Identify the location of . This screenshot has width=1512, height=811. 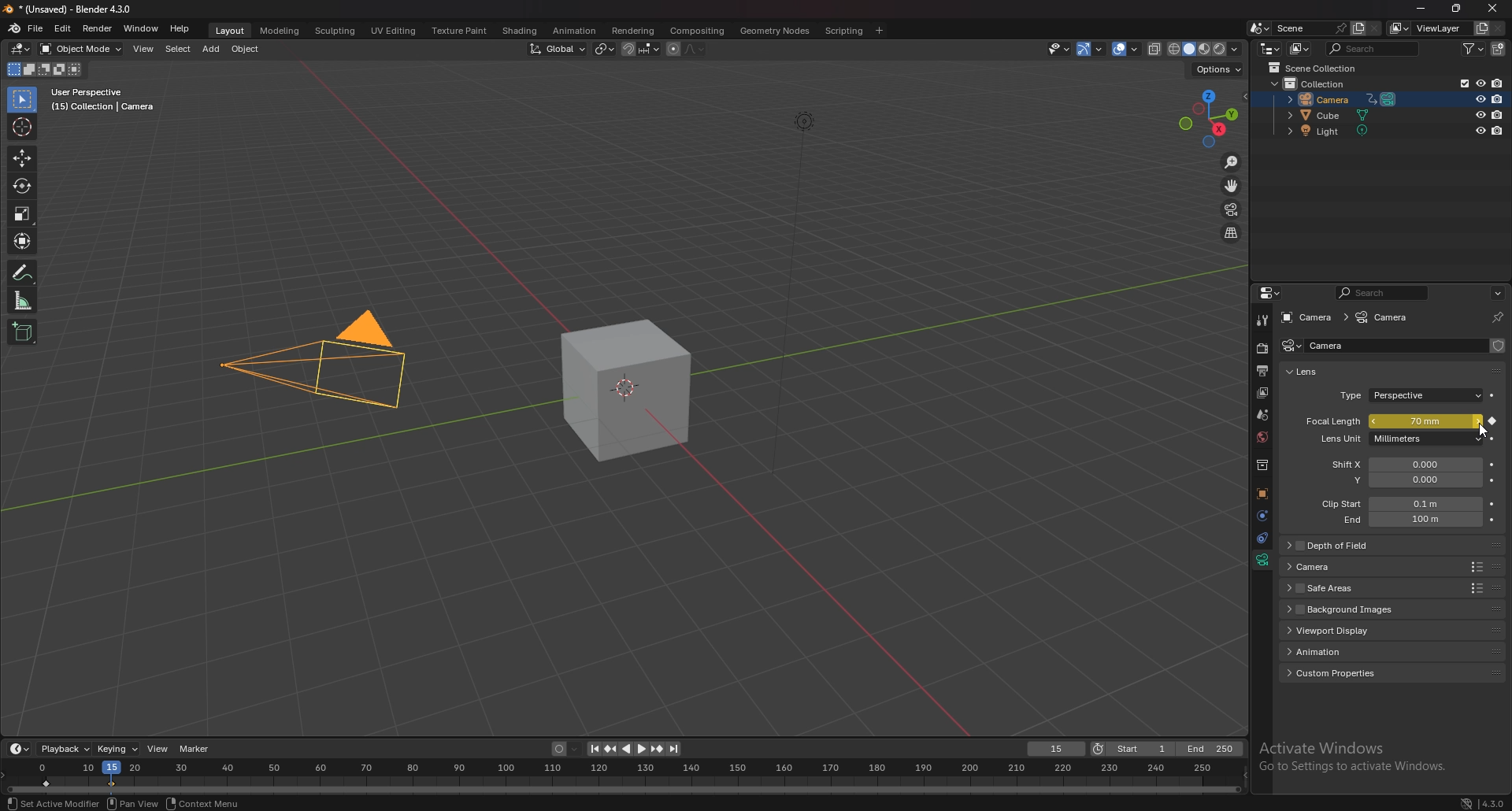
(1354, 759).